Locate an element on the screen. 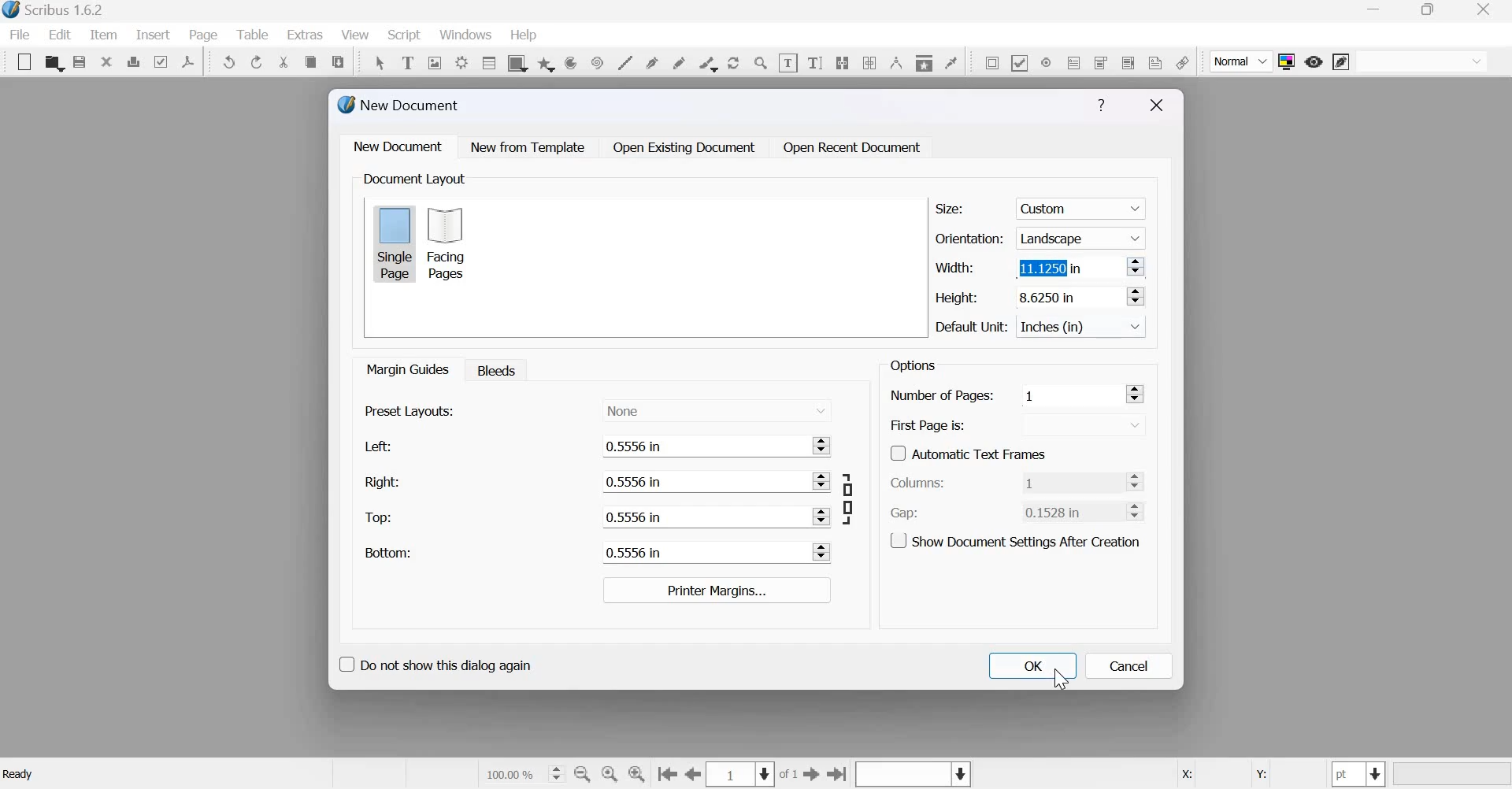 This screenshot has height=789, width=1512. Scribus 1.6.2 - [Document-1] is located at coordinates (57, 11).